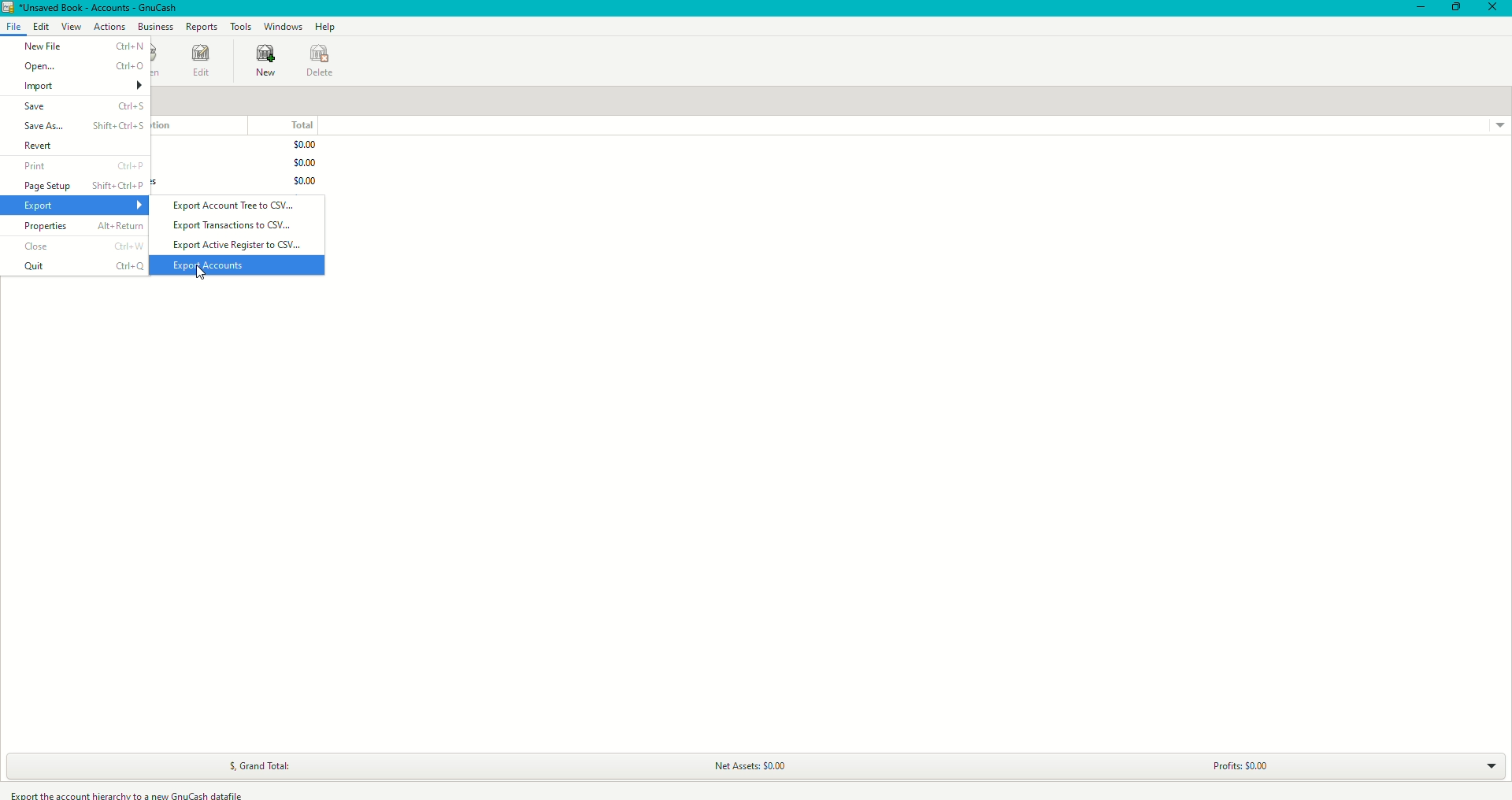  I want to click on Grant Total, so click(270, 761).